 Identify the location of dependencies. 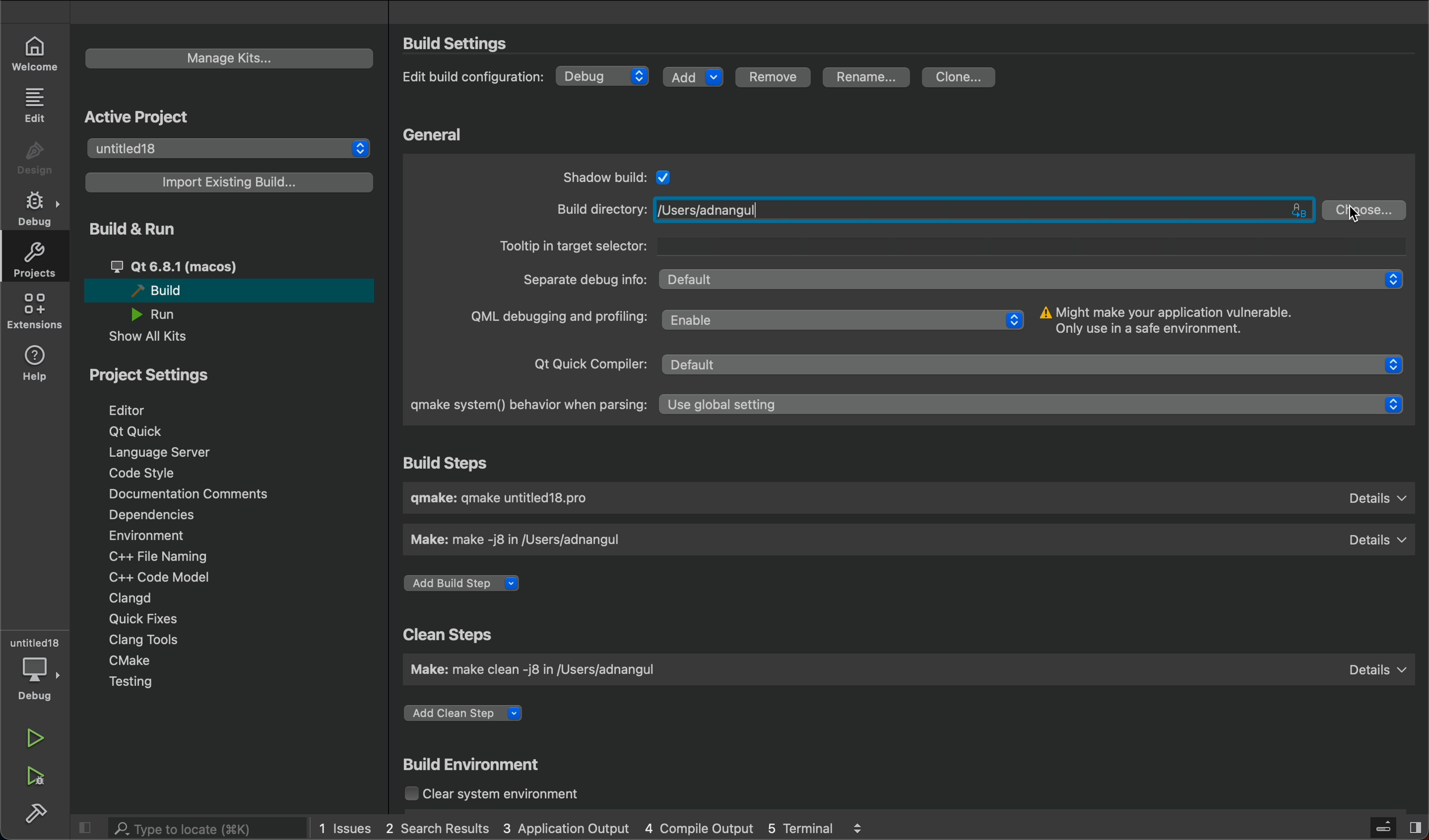
(158, 515).